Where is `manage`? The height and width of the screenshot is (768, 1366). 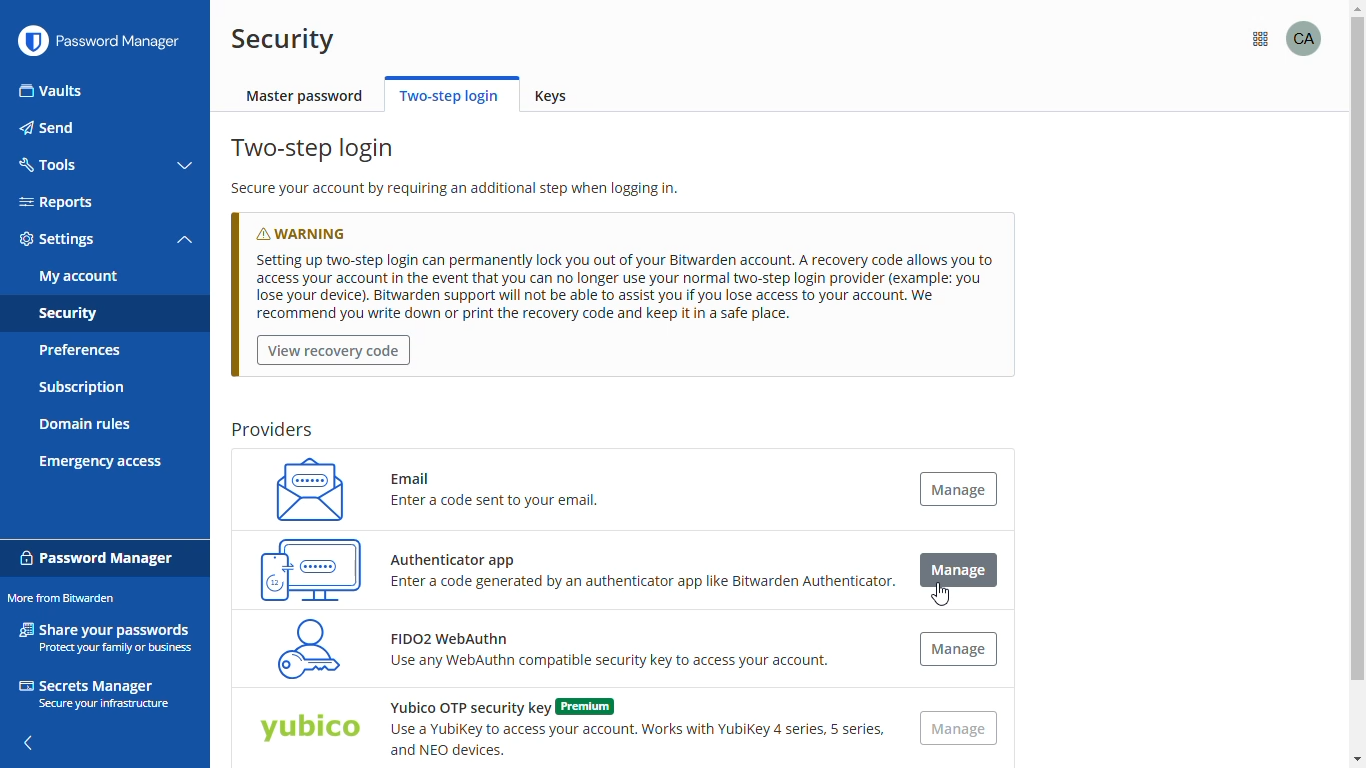
manage is located at coordinates (957, 488).